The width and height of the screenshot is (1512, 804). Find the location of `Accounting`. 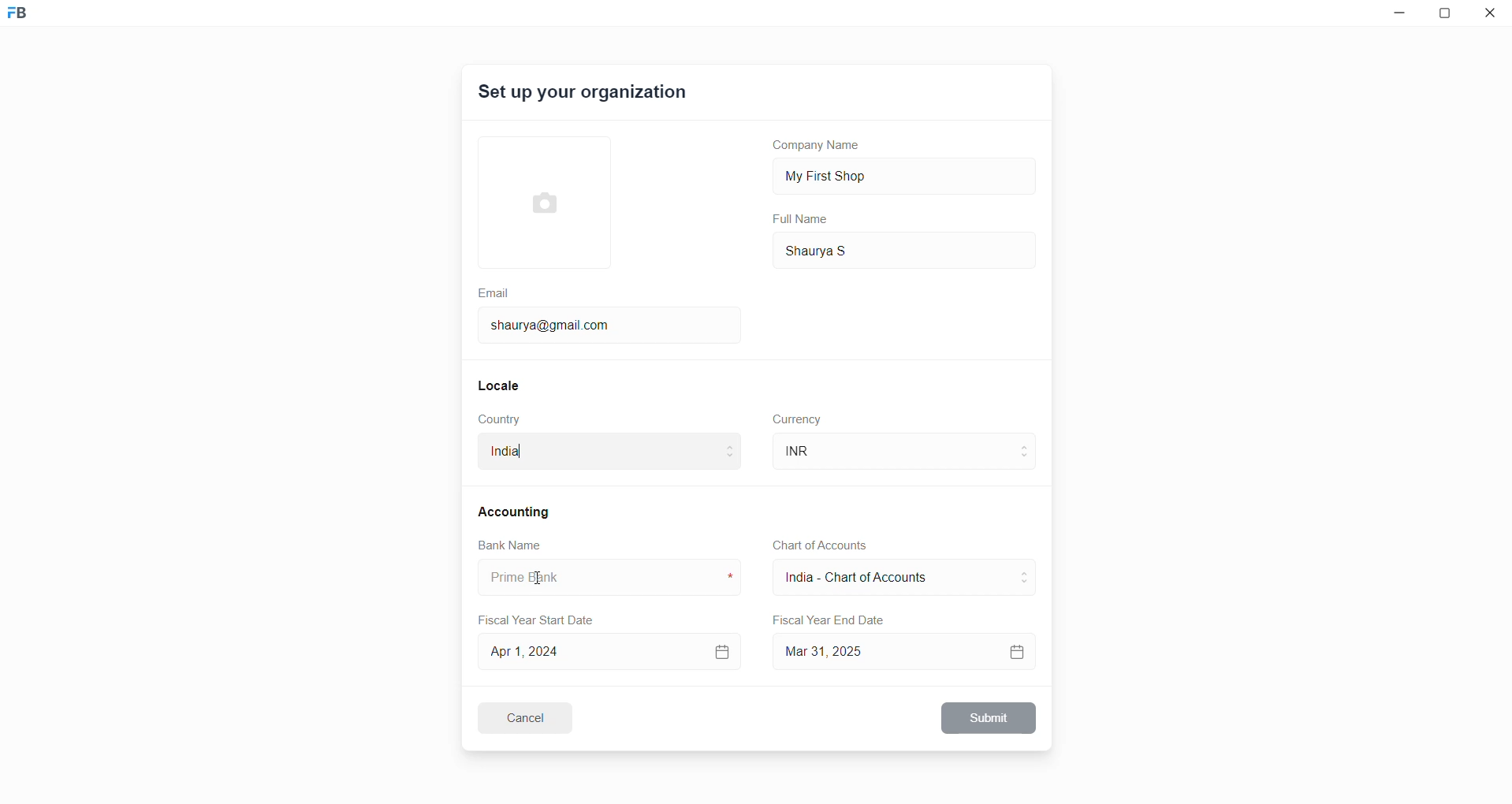

Accounting is located at coordinates (516, 511).